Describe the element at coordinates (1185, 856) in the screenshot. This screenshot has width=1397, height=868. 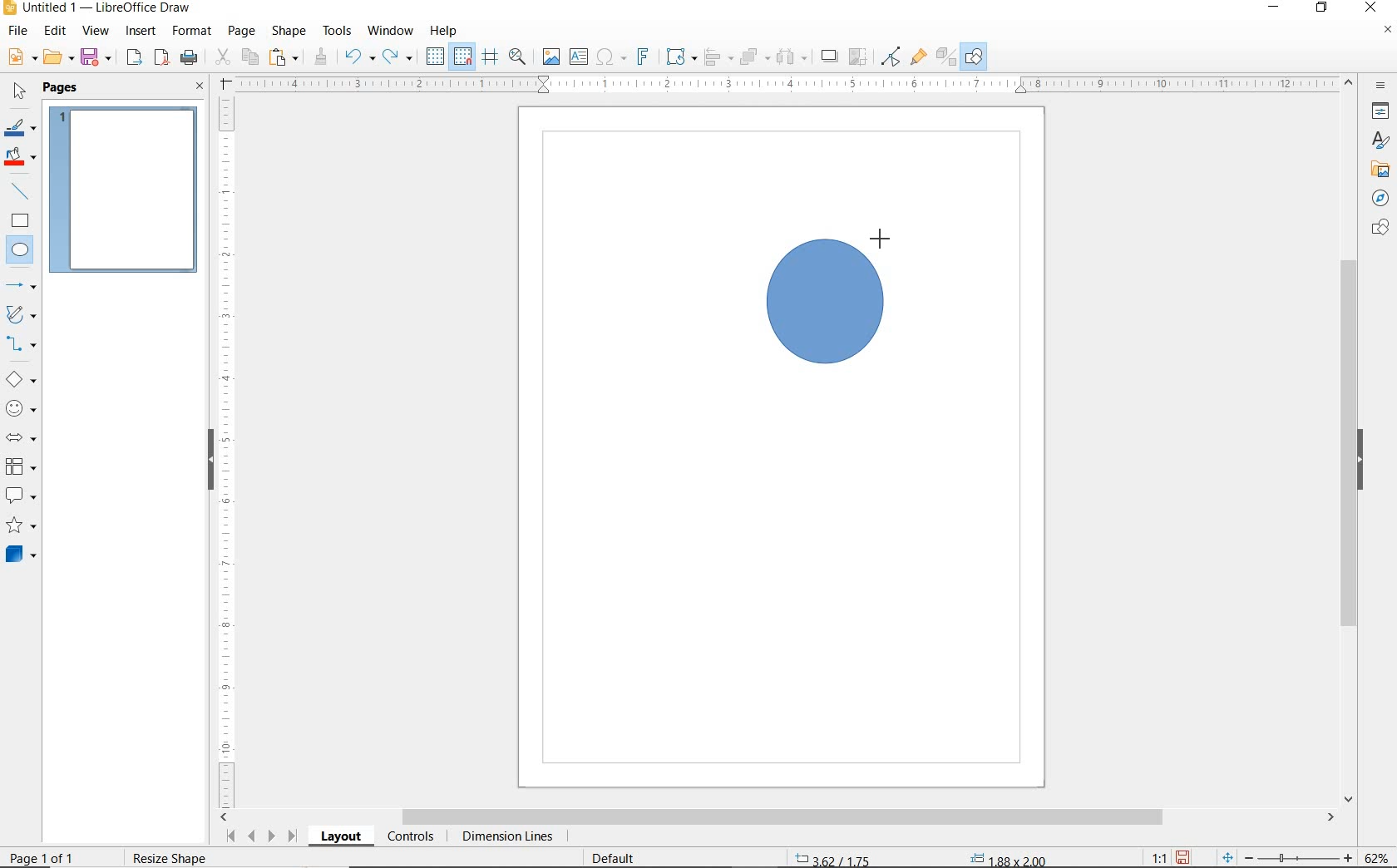
I see `SAVE` at that location.